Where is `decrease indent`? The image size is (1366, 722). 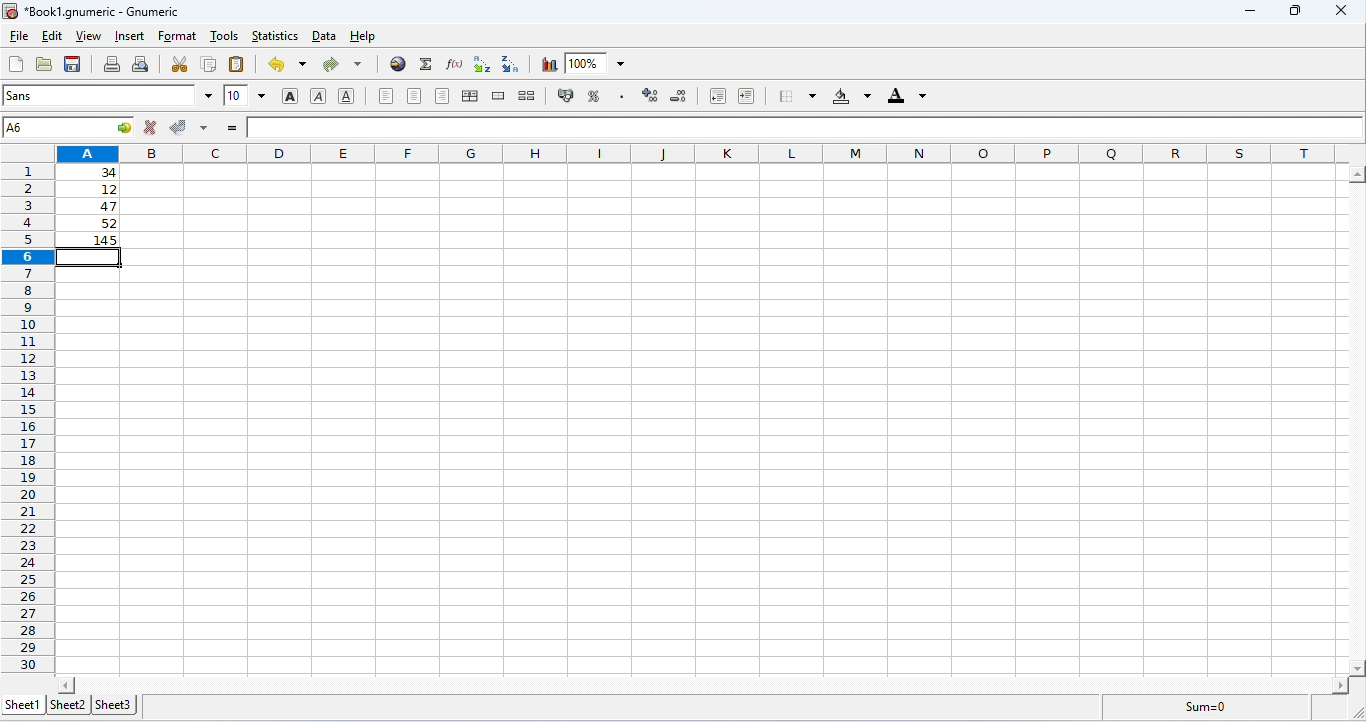
decrease indent is located at coordinates (747, 95).